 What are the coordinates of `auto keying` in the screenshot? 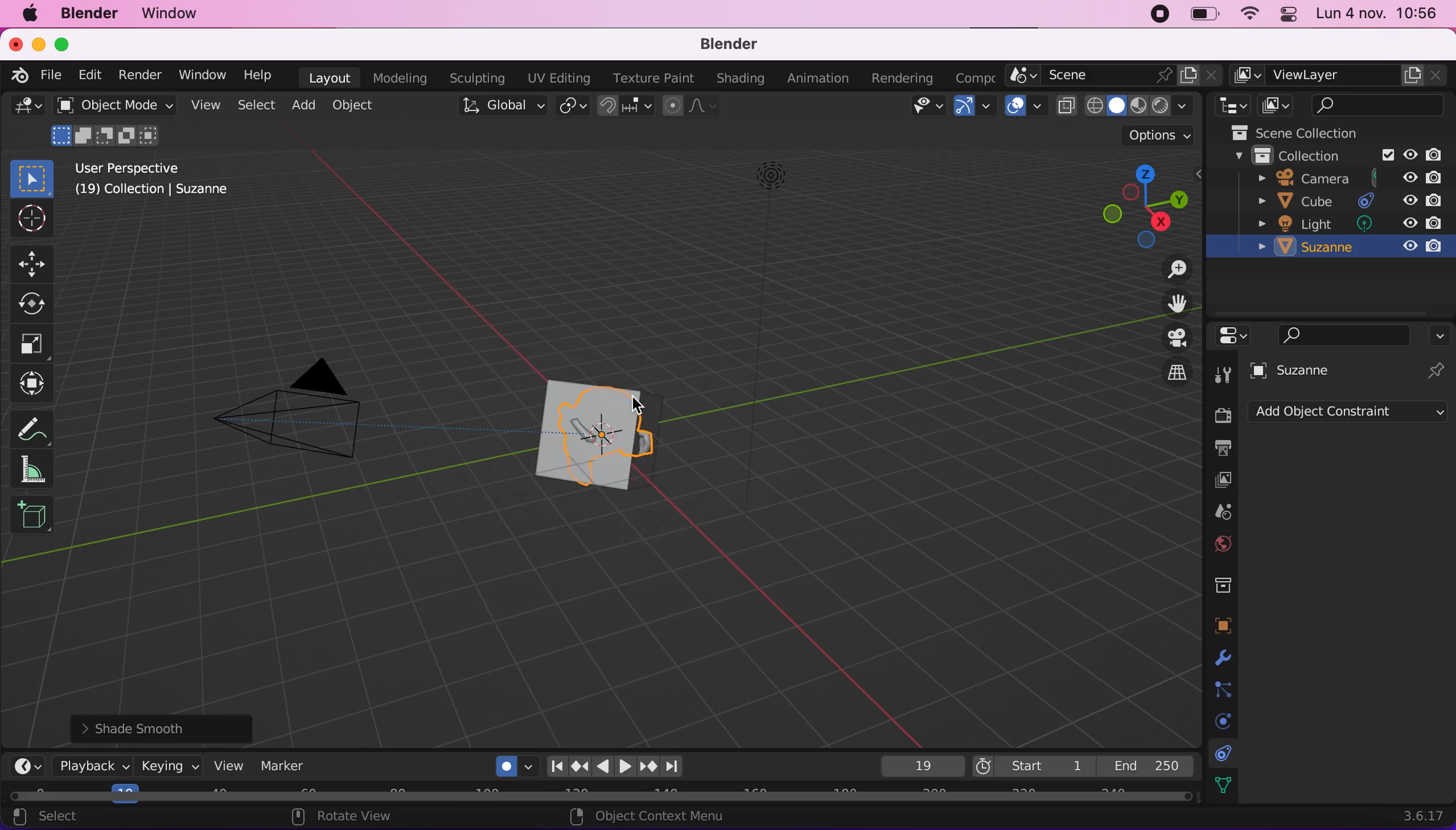 It's located at (505, 763).